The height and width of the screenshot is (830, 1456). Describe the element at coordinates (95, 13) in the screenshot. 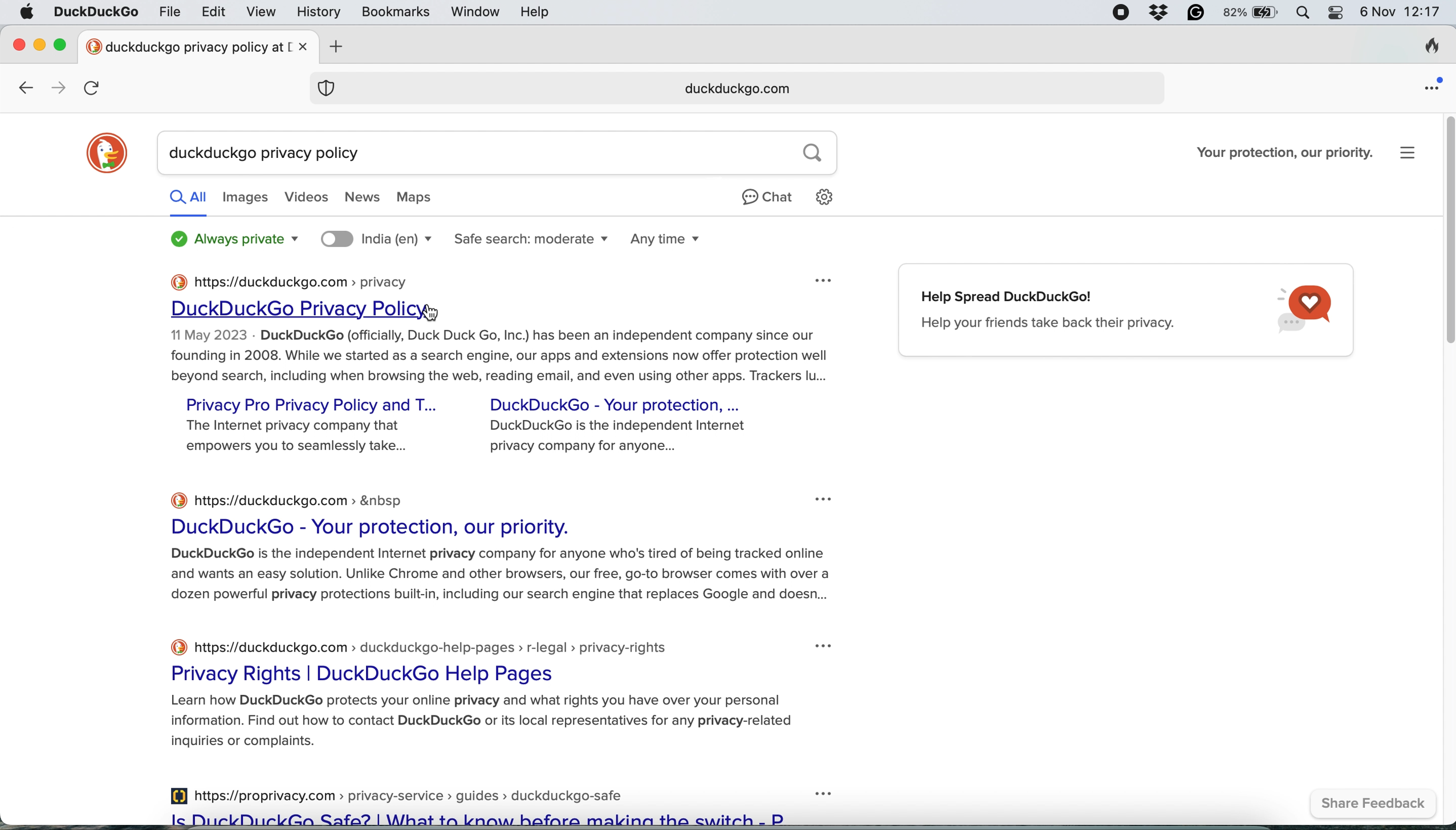

I see `duckduckgo` at that location.